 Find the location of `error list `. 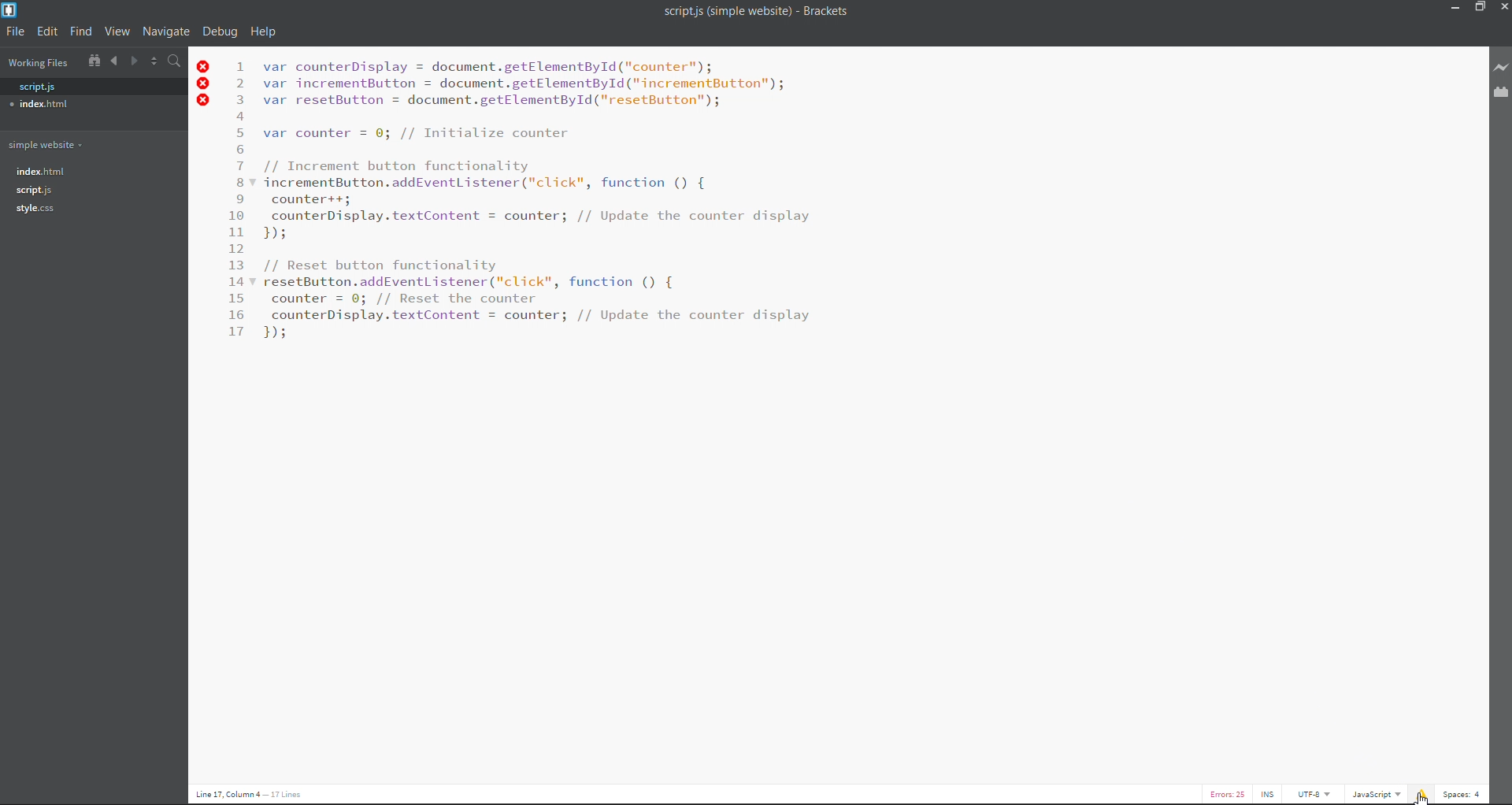

error list  is located at coordinates (1421, 794).